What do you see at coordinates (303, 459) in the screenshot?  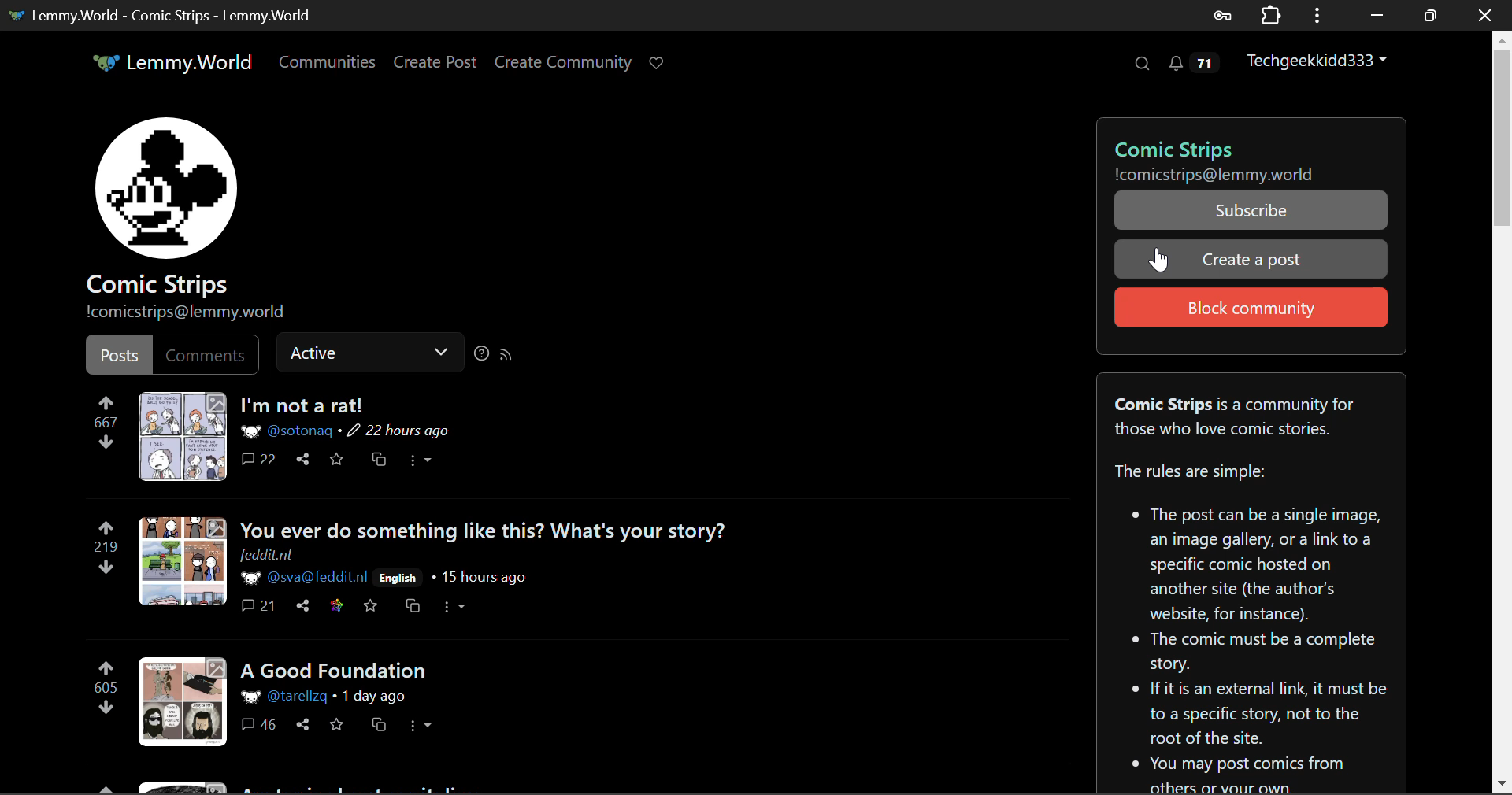 I see `Share` at bounding box center [303, 459].